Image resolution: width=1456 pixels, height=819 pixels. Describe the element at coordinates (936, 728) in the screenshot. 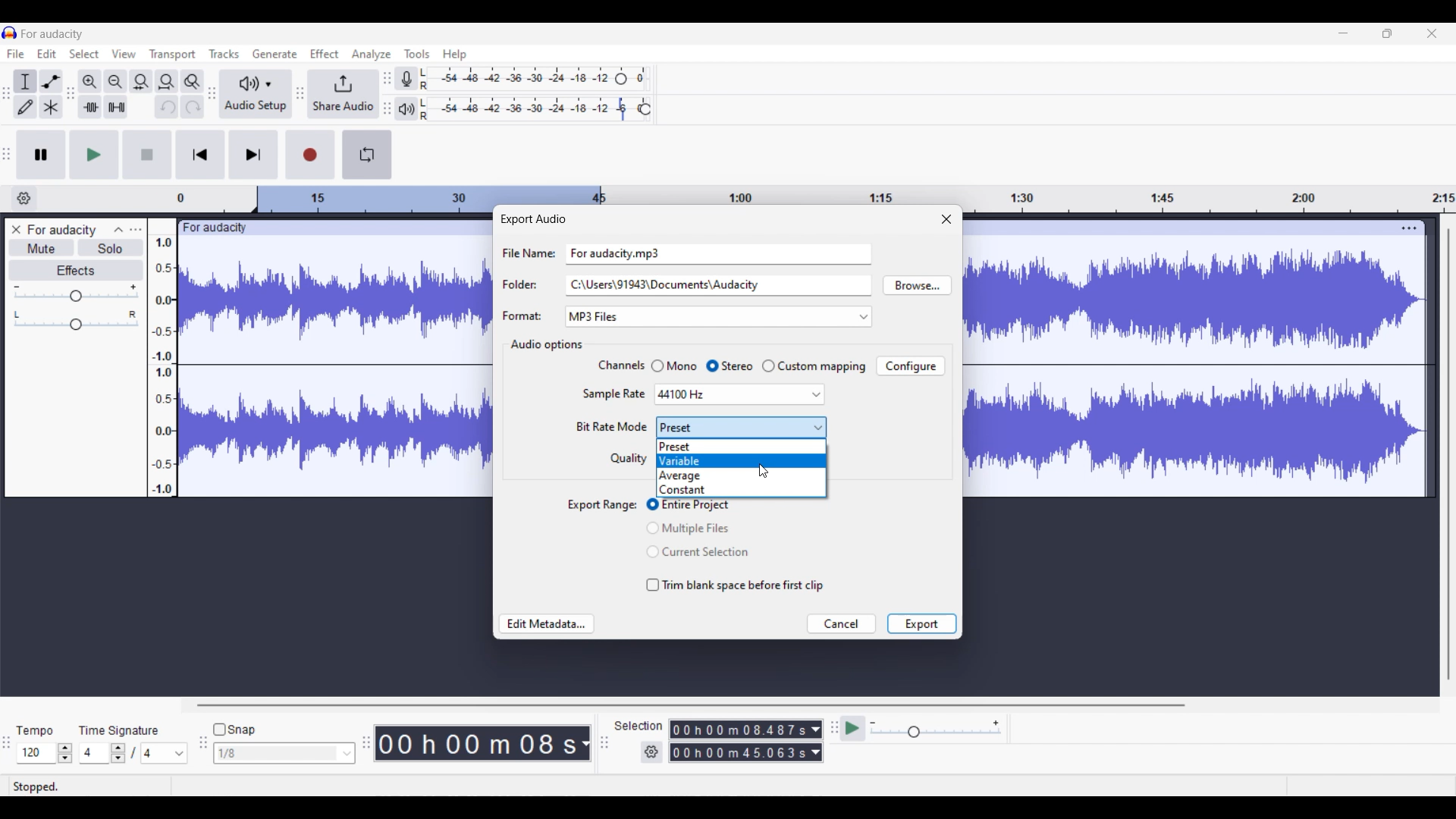

I see `Playback speed scale` at that location.